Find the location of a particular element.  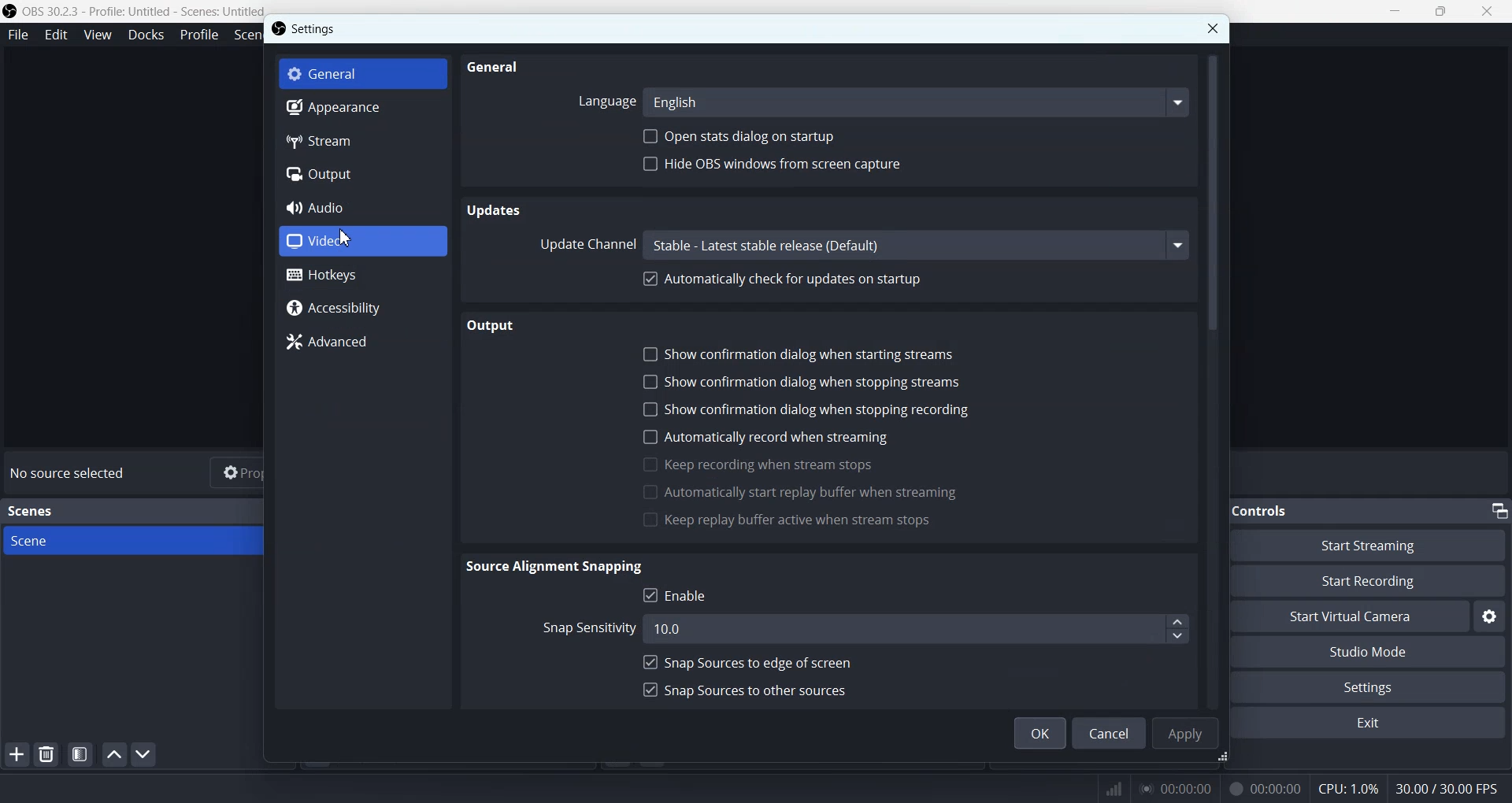

Maximize is located at coordinates (1441, 10).